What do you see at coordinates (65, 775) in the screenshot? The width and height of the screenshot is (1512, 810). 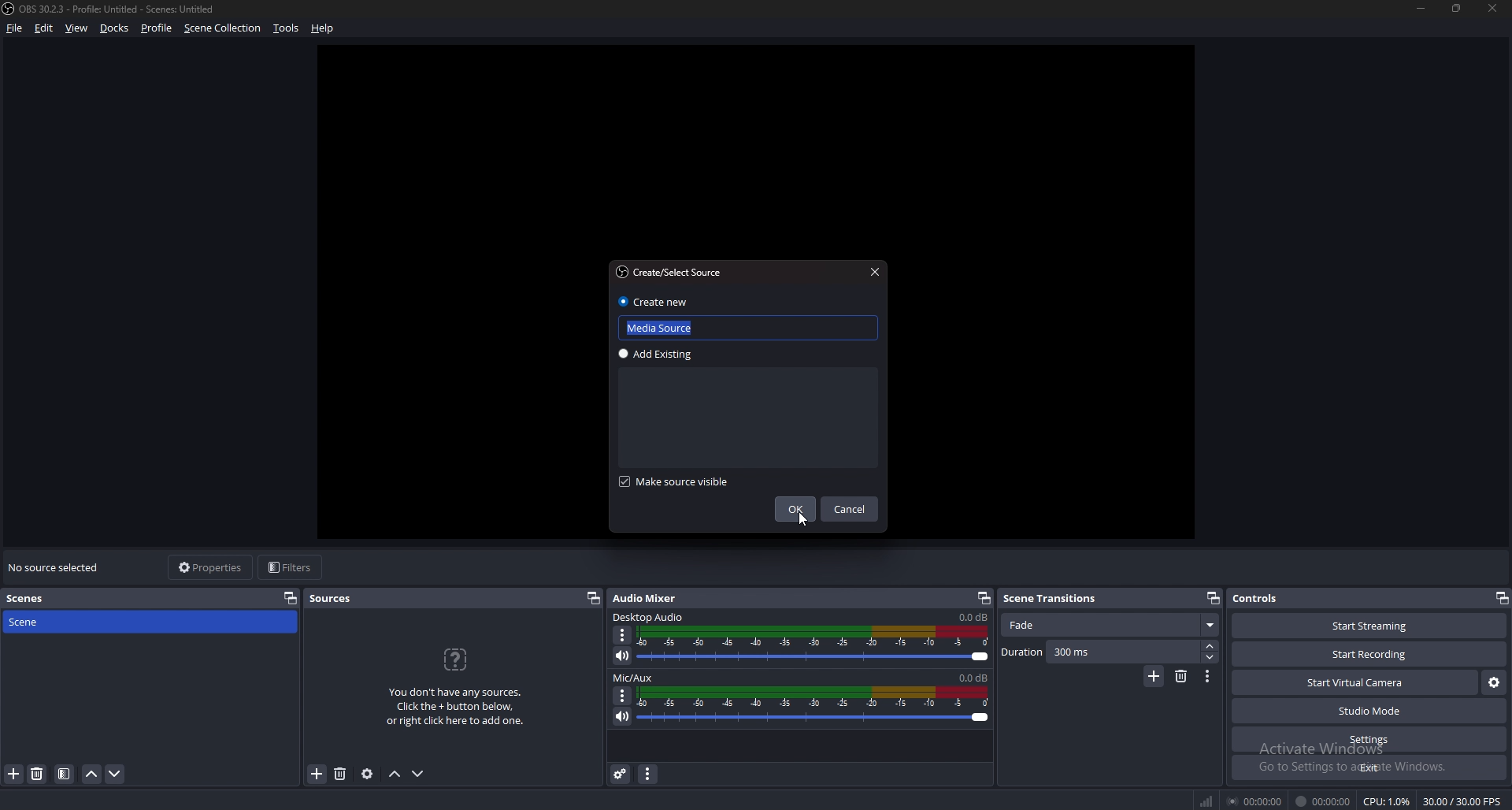 I see `Filter` at bounding box center [65, 775].